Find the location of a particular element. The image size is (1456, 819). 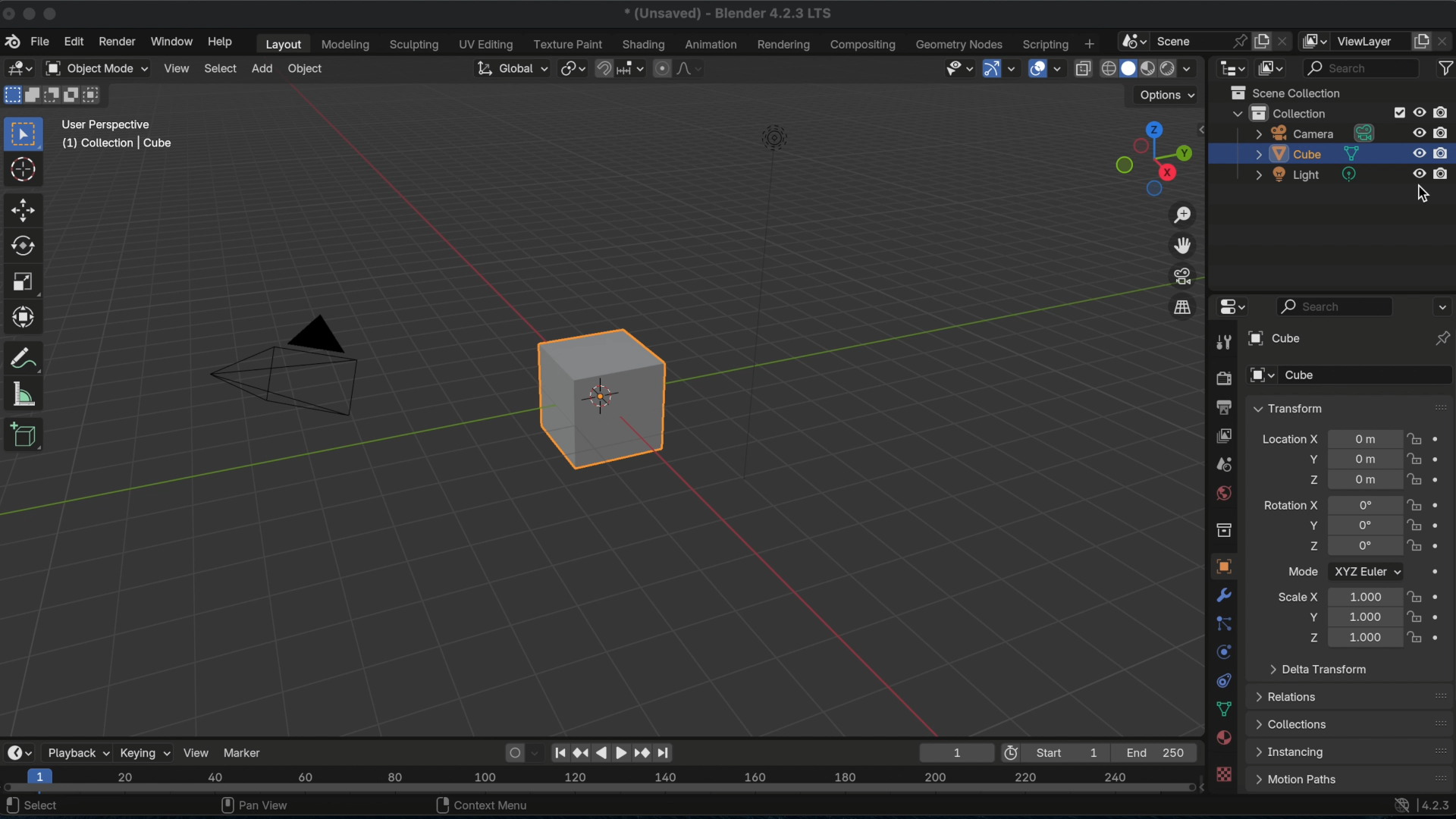

disable in renders is located at coordinates (1442, 152).